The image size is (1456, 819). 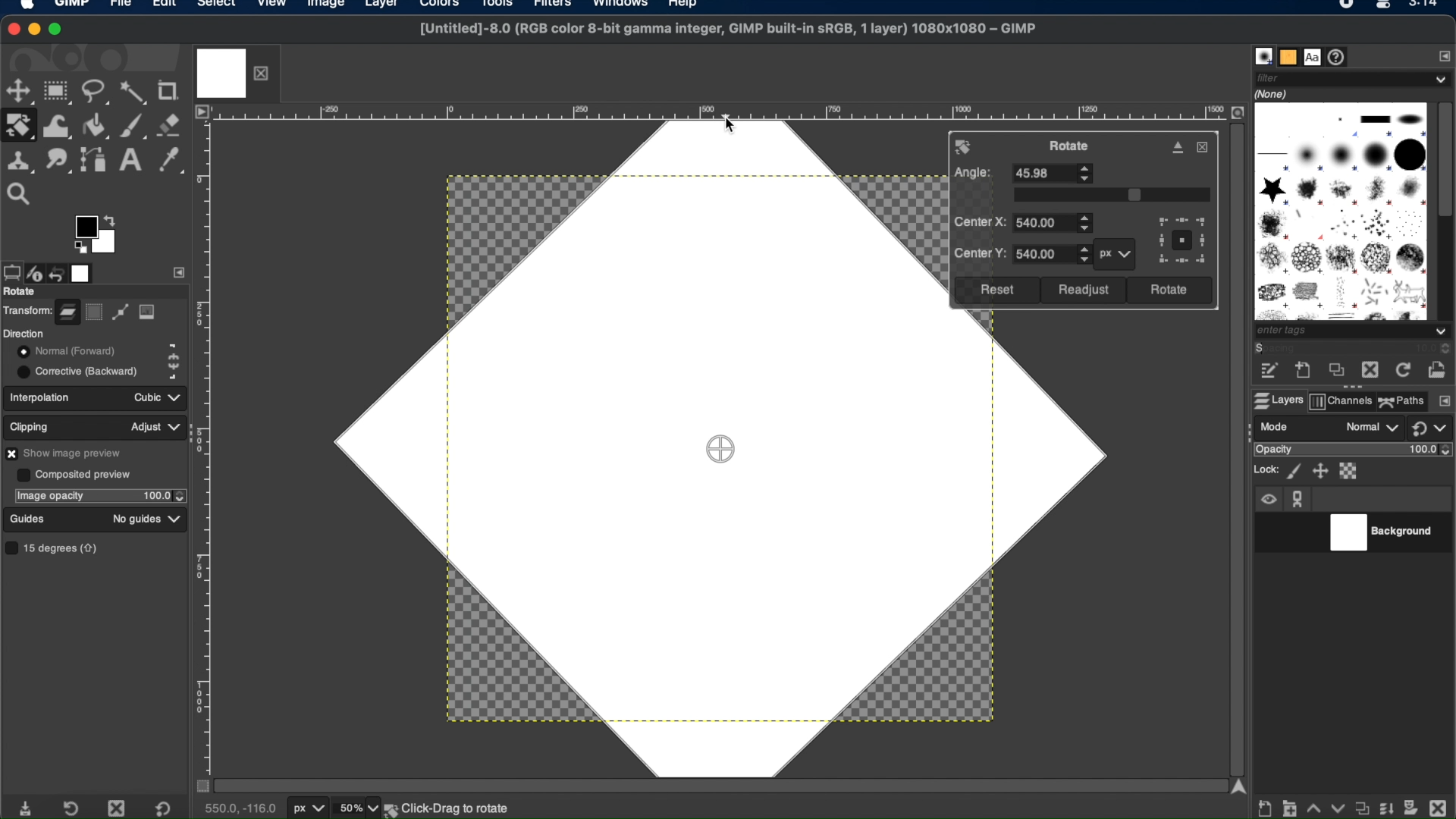 I want to click on smudge tool, so click(x=58, y=159).